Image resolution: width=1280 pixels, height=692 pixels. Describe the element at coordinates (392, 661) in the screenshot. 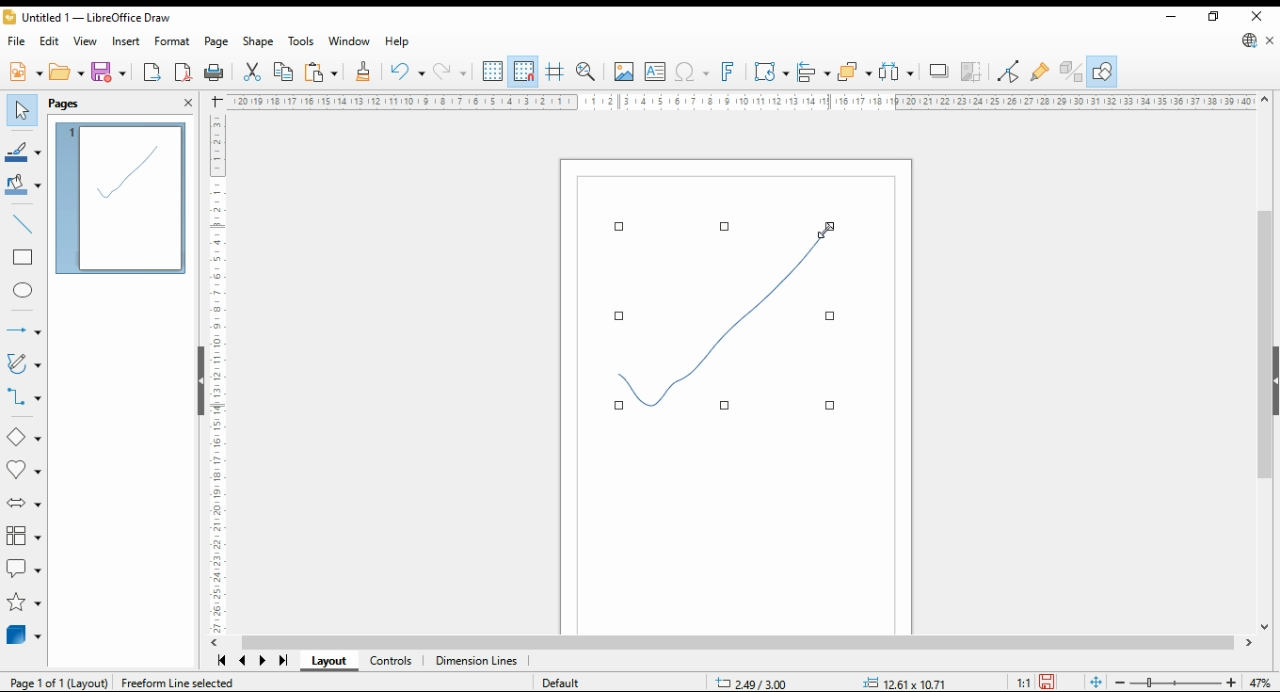

I see `controls` at that location.